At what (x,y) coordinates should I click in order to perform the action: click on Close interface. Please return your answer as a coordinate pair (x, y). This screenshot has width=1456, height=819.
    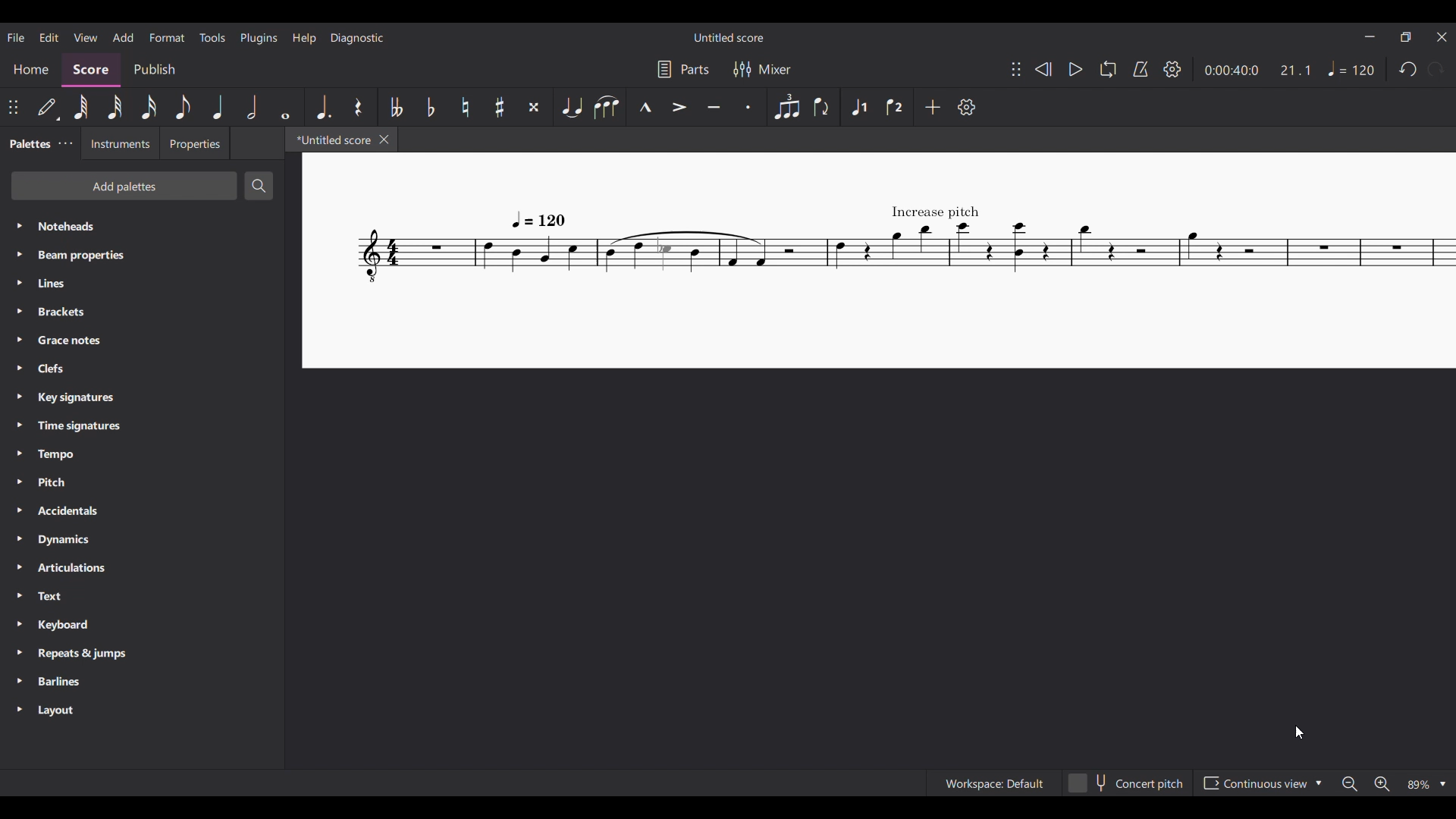
    Looking at the image, I should click on (1442, 36).